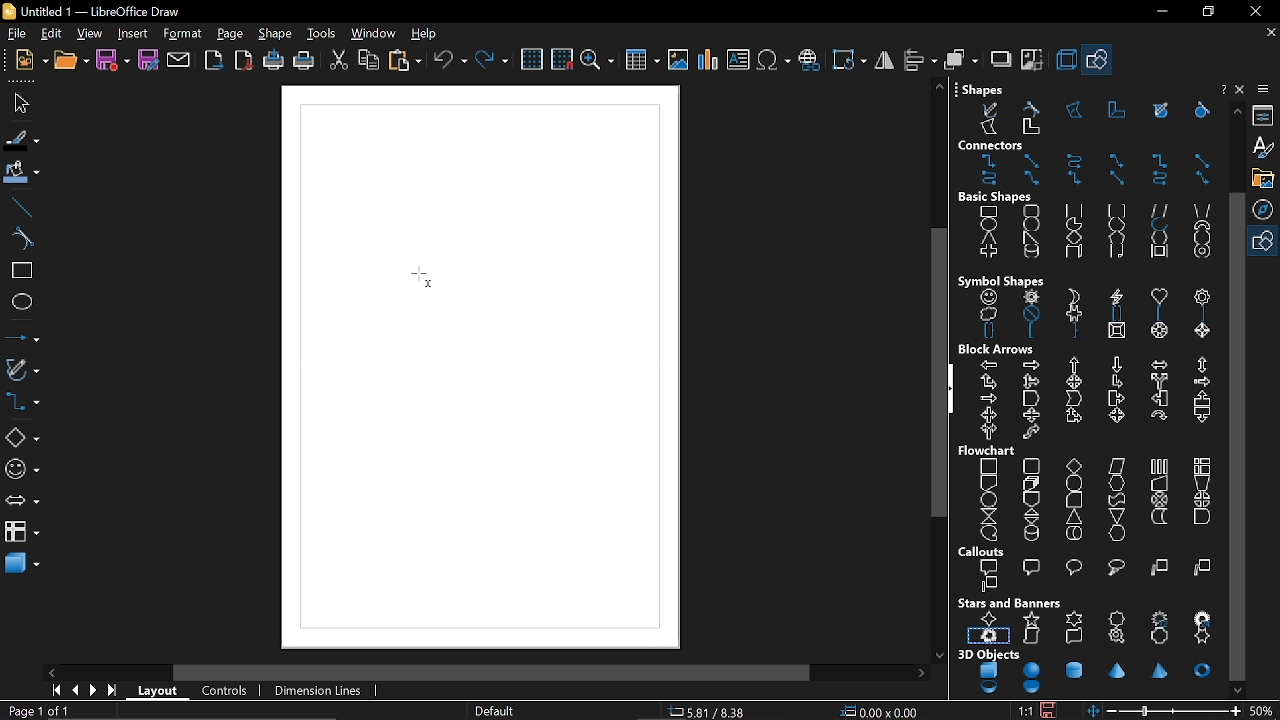 The image size is (1280, 720). I want to click on curve, so click(21, 239).